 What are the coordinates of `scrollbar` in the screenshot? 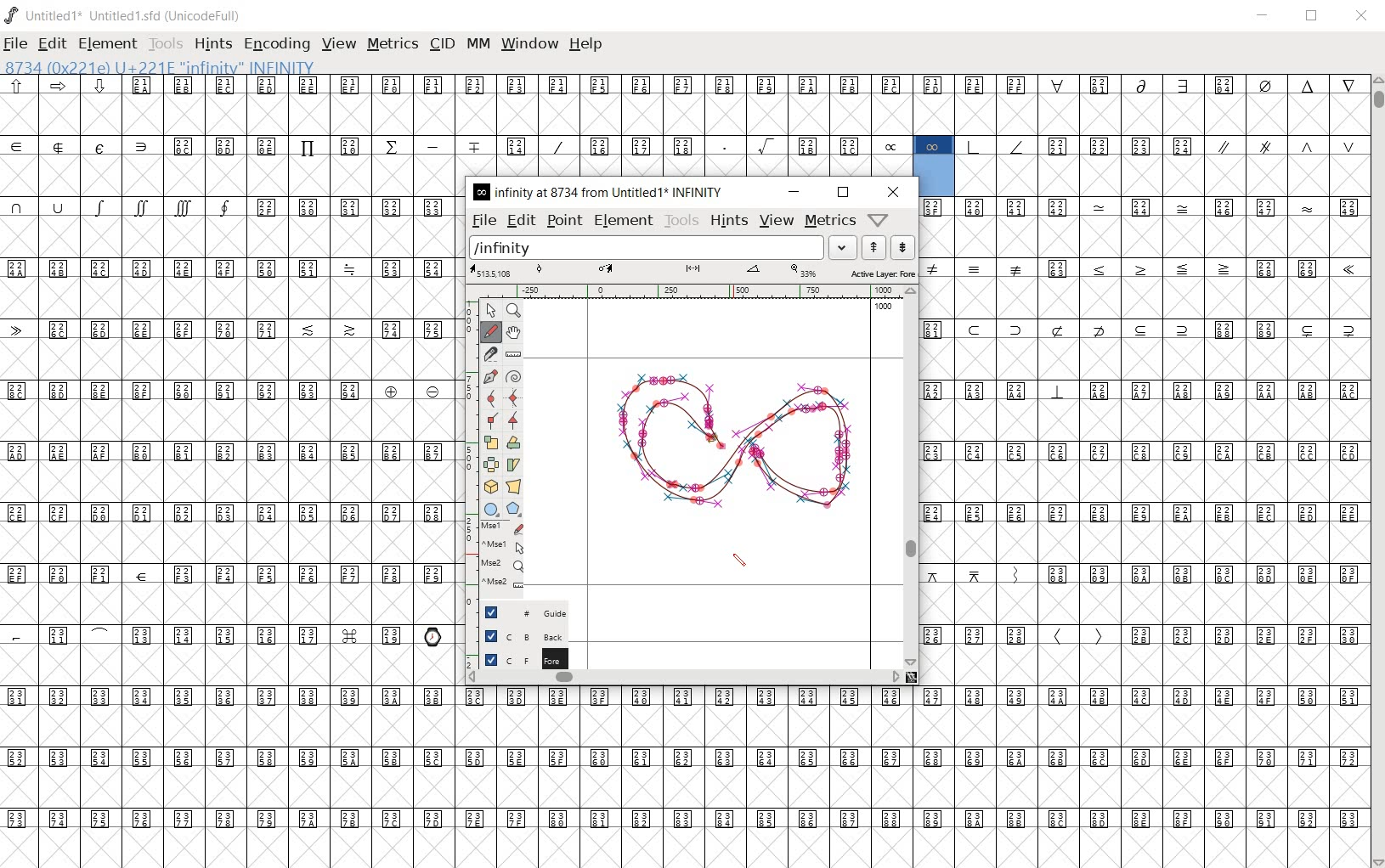 It's located at (685, 679).